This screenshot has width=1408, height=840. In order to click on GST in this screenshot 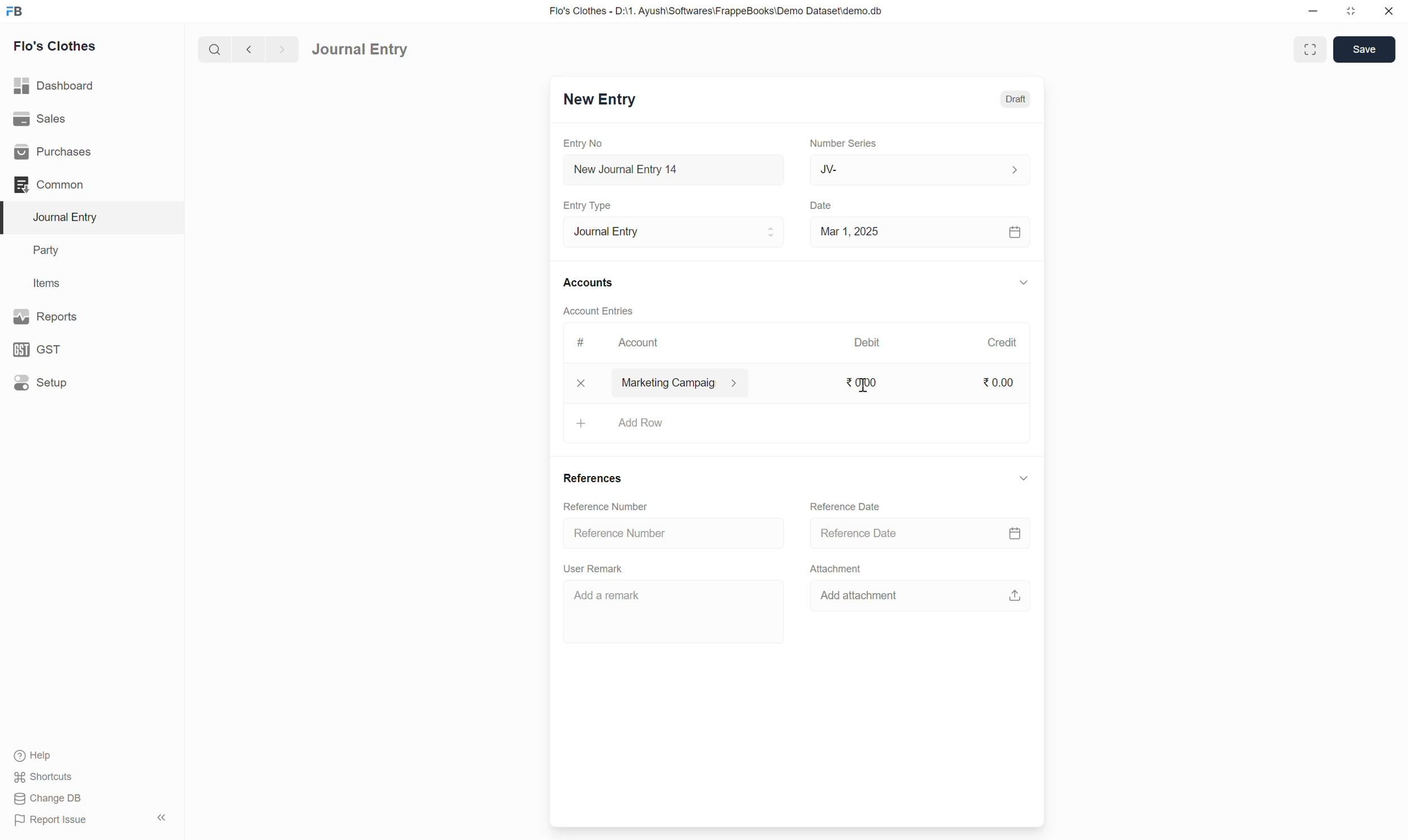, I will do `click(39, 350)`.